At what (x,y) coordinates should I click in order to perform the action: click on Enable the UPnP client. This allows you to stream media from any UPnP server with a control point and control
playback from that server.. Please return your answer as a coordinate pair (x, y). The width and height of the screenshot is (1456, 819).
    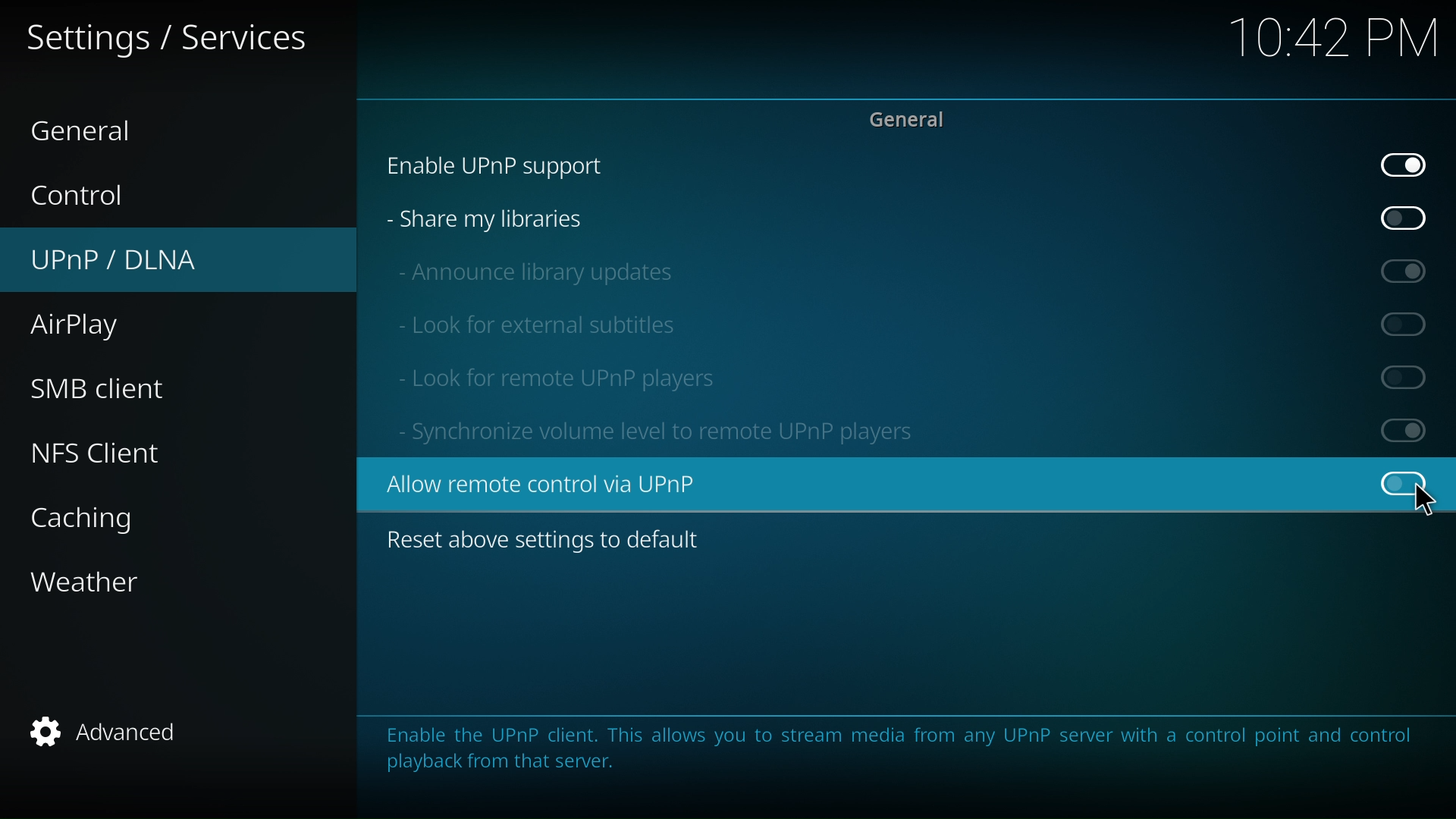
    Looking at the image, I should click on (895, 749).